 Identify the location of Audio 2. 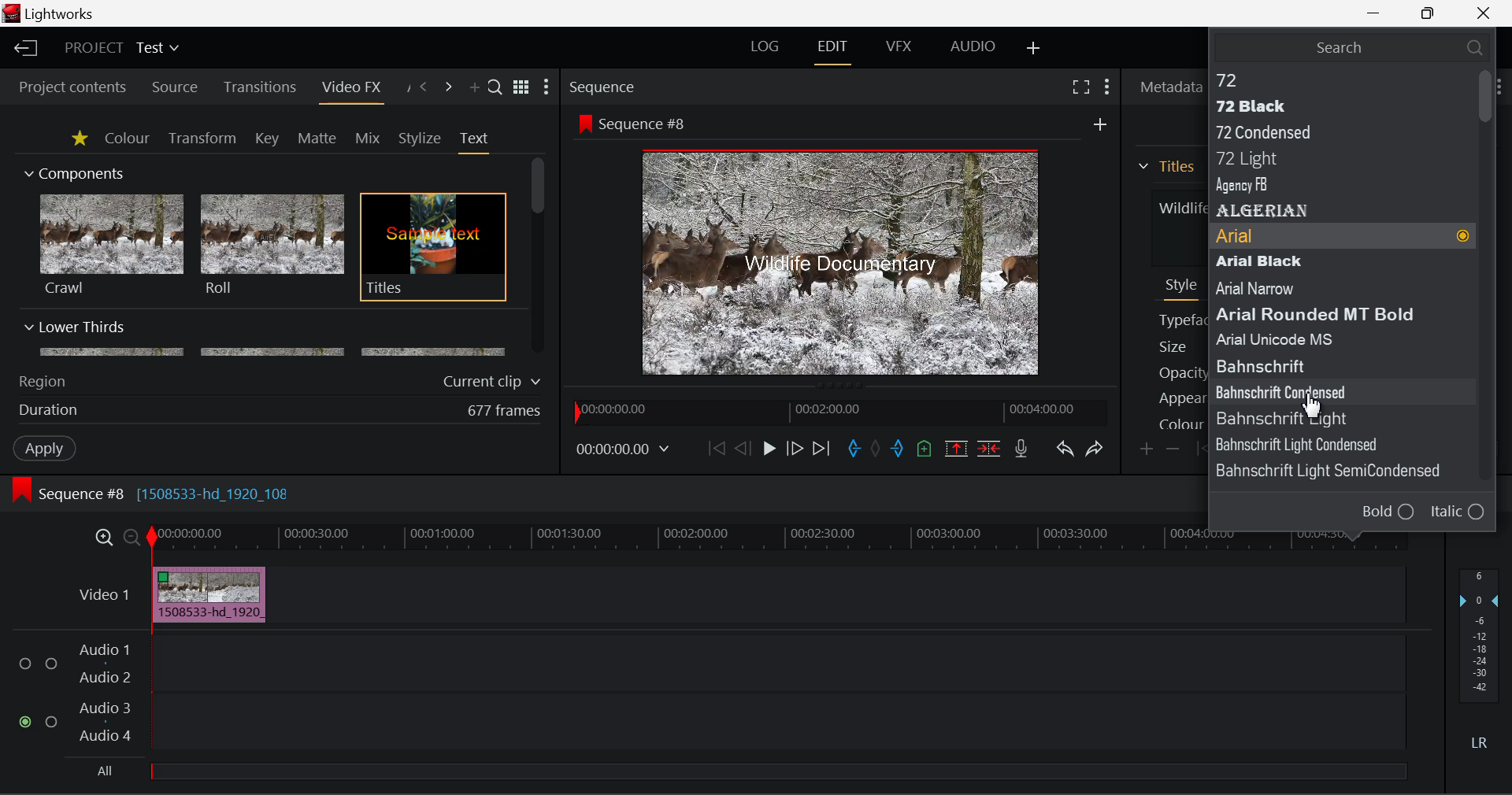
(106, 678).